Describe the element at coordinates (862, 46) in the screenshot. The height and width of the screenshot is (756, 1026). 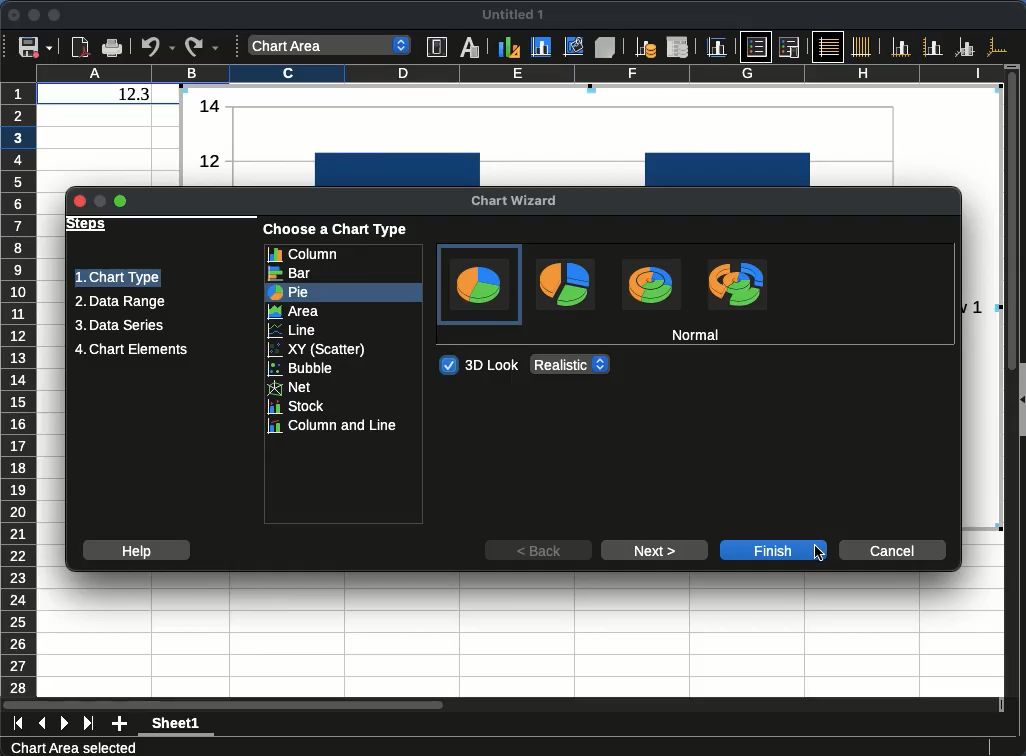
I see `Vertical grids` at that location.